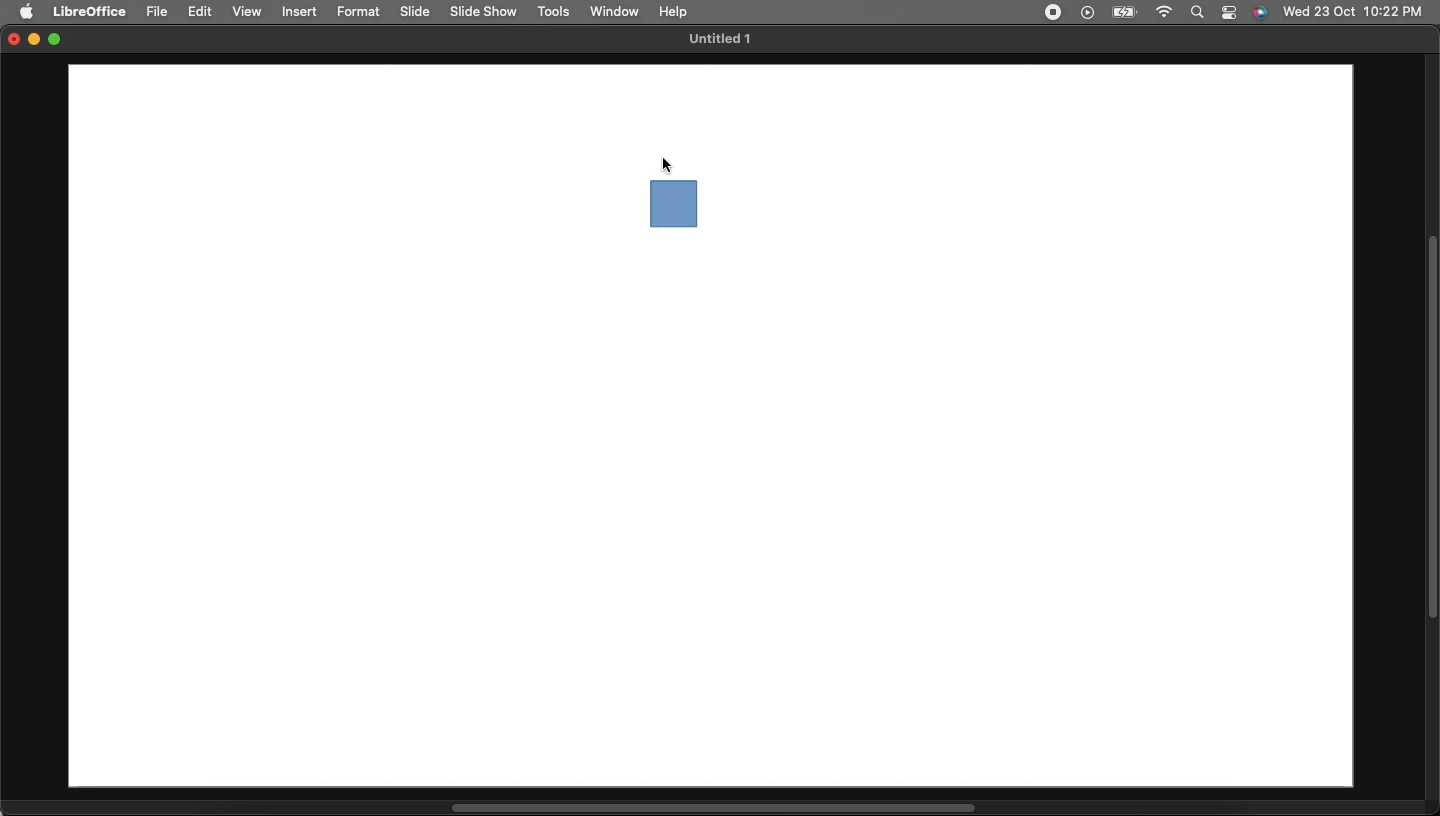  Describe the element at coordinates (248, 12) in the screenshot. I see `View` at that location.